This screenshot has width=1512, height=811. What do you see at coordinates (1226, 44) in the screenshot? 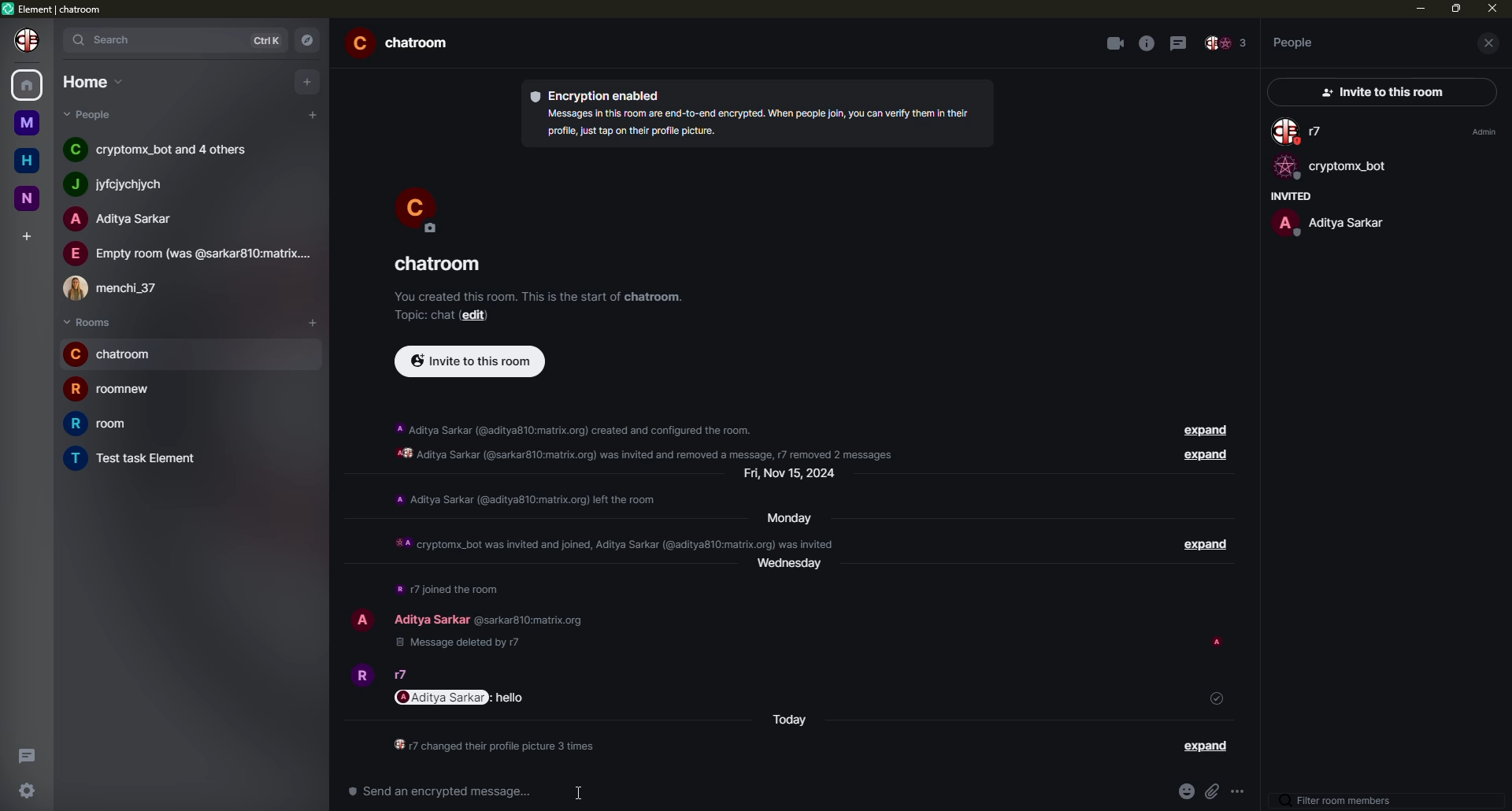
I see `people` at bounding box center [1226, 44].